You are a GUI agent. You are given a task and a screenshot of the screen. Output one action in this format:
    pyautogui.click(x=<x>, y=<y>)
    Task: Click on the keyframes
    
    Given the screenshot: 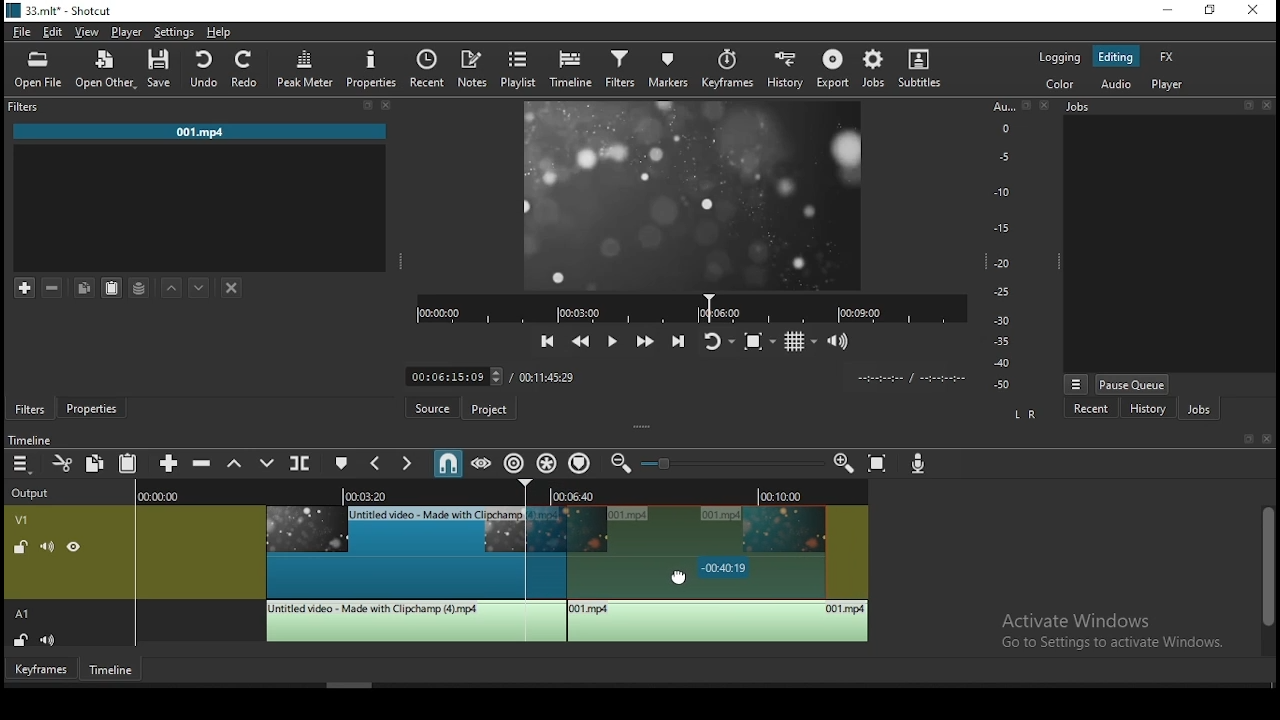 What is the action you would take?
    pyautogui.click(x=727, y=68)
    